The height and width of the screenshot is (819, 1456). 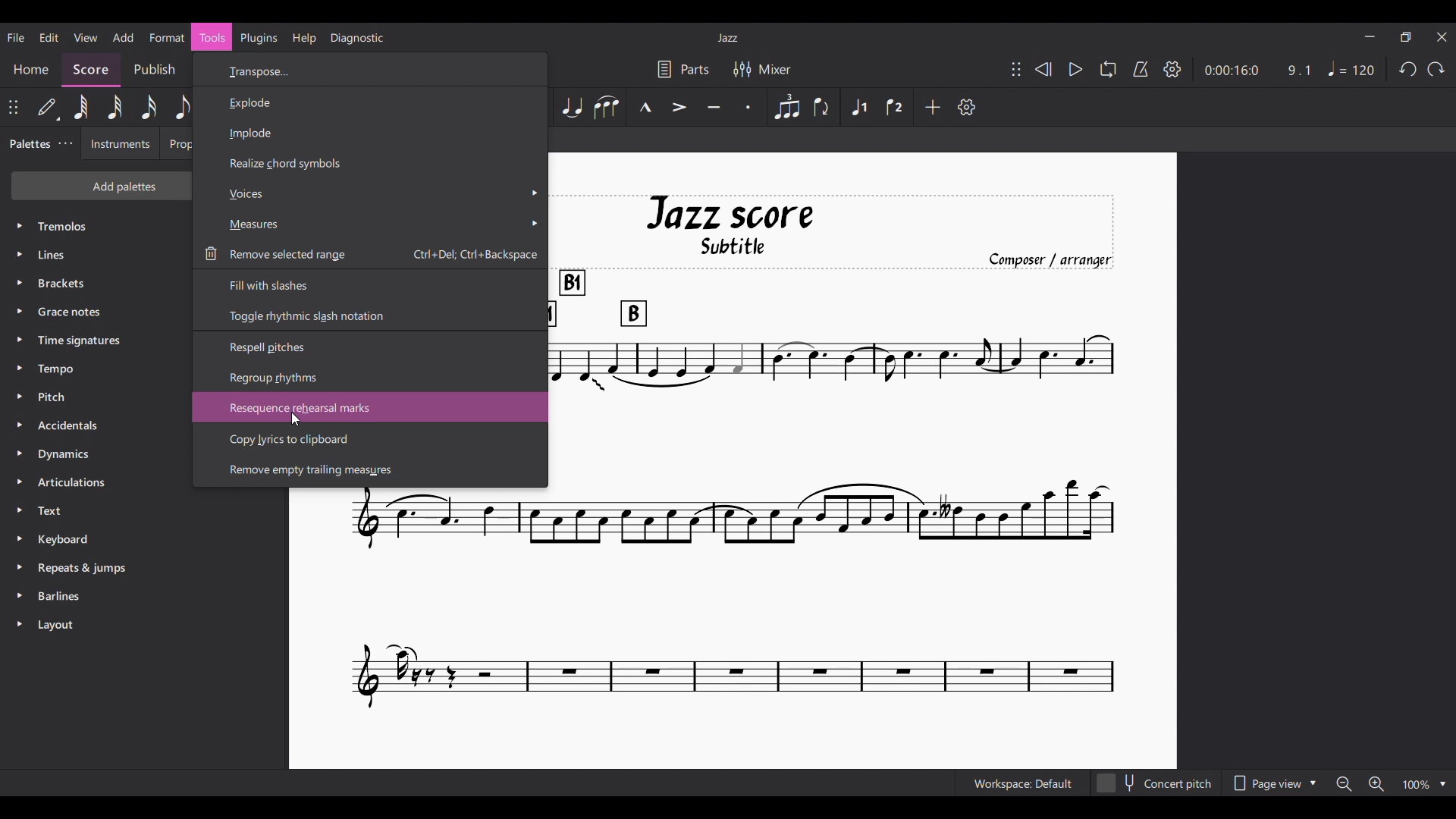 I want to click on Staccato, so click(x=748, y=107).